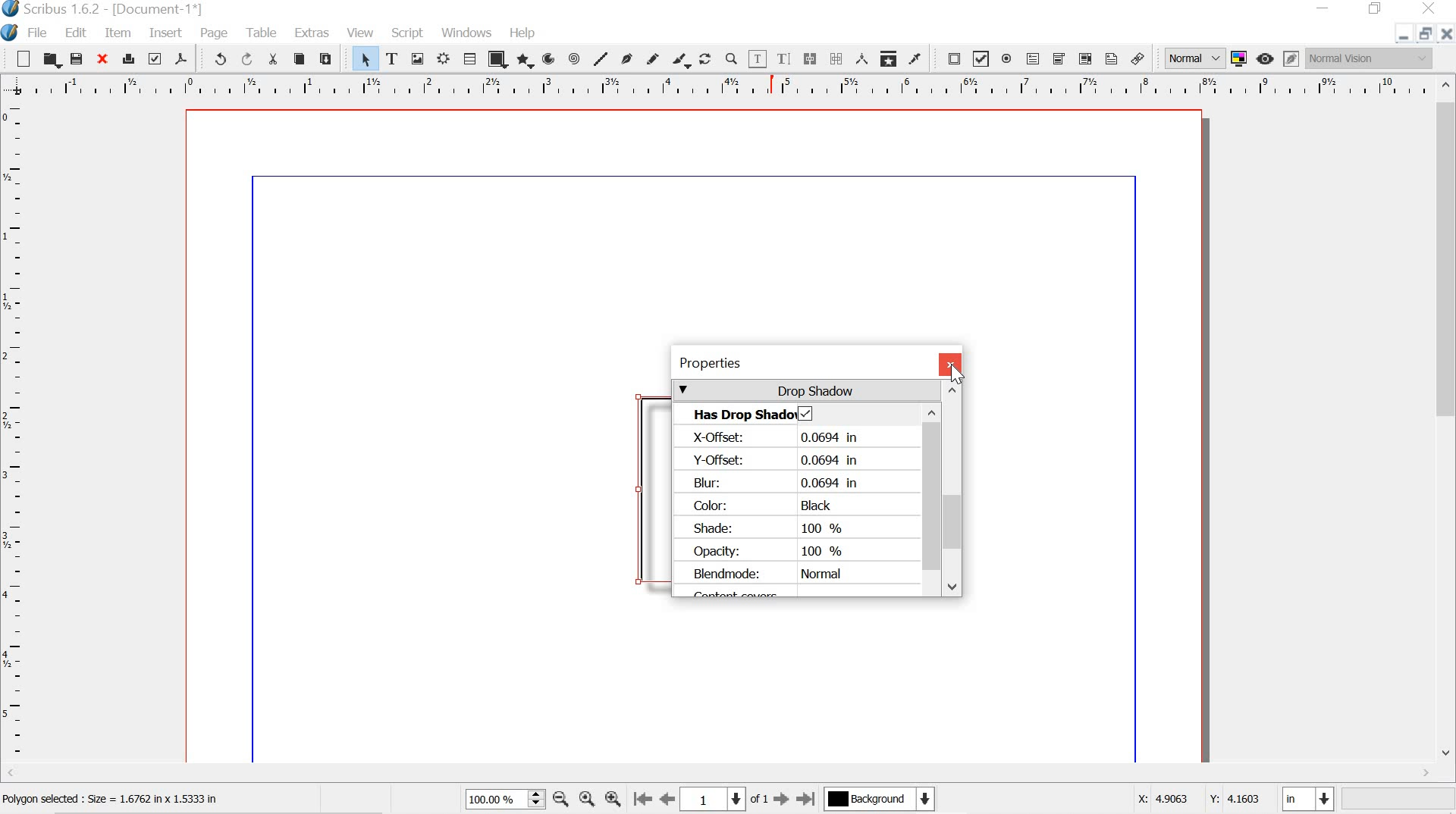 The width and height of the screenshot is (1456, 814). Describe the element at coordinates (915, 59) in the screenshot. I see `eye dropper` at that location.